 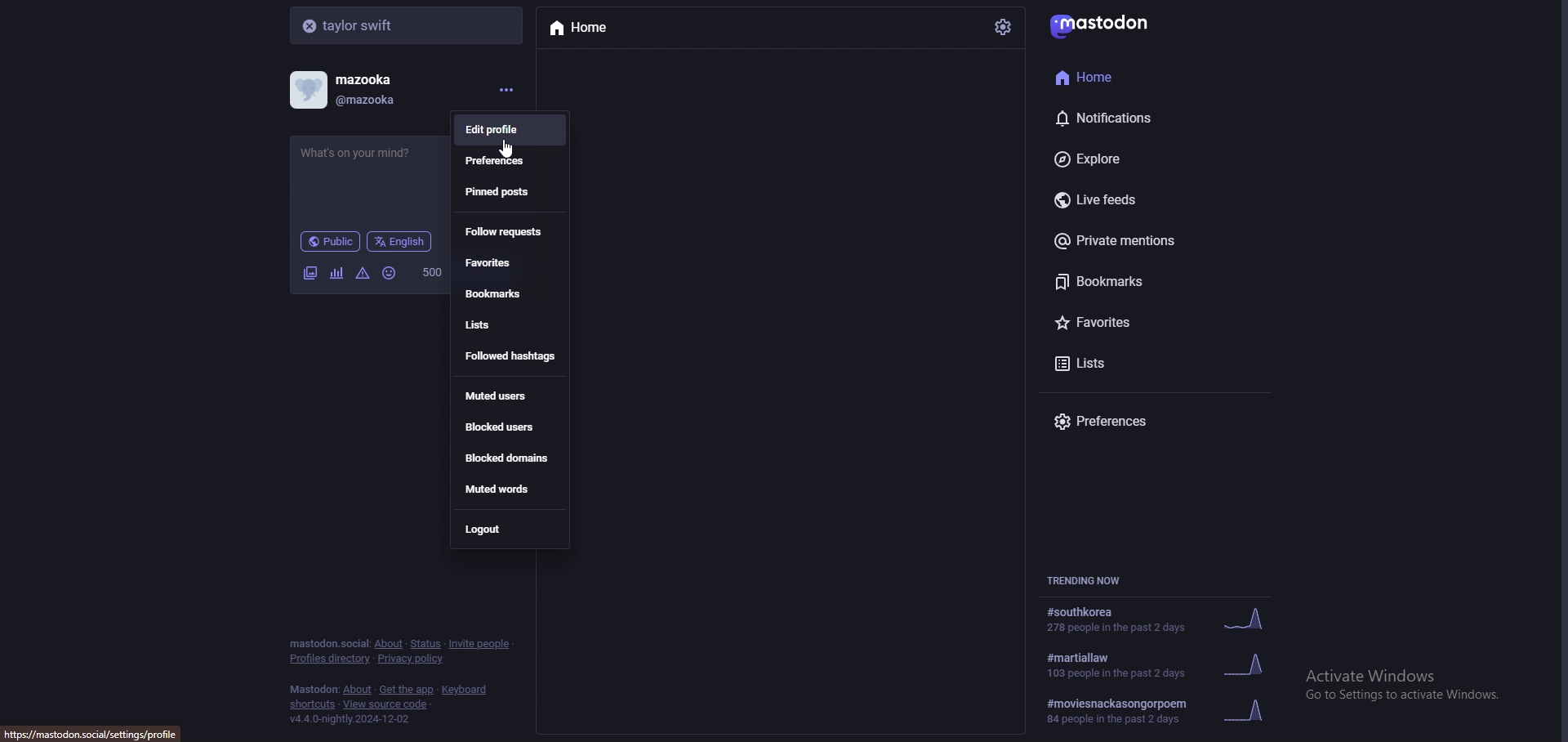 I want to click on notifications, so click(x=1132, y=118).